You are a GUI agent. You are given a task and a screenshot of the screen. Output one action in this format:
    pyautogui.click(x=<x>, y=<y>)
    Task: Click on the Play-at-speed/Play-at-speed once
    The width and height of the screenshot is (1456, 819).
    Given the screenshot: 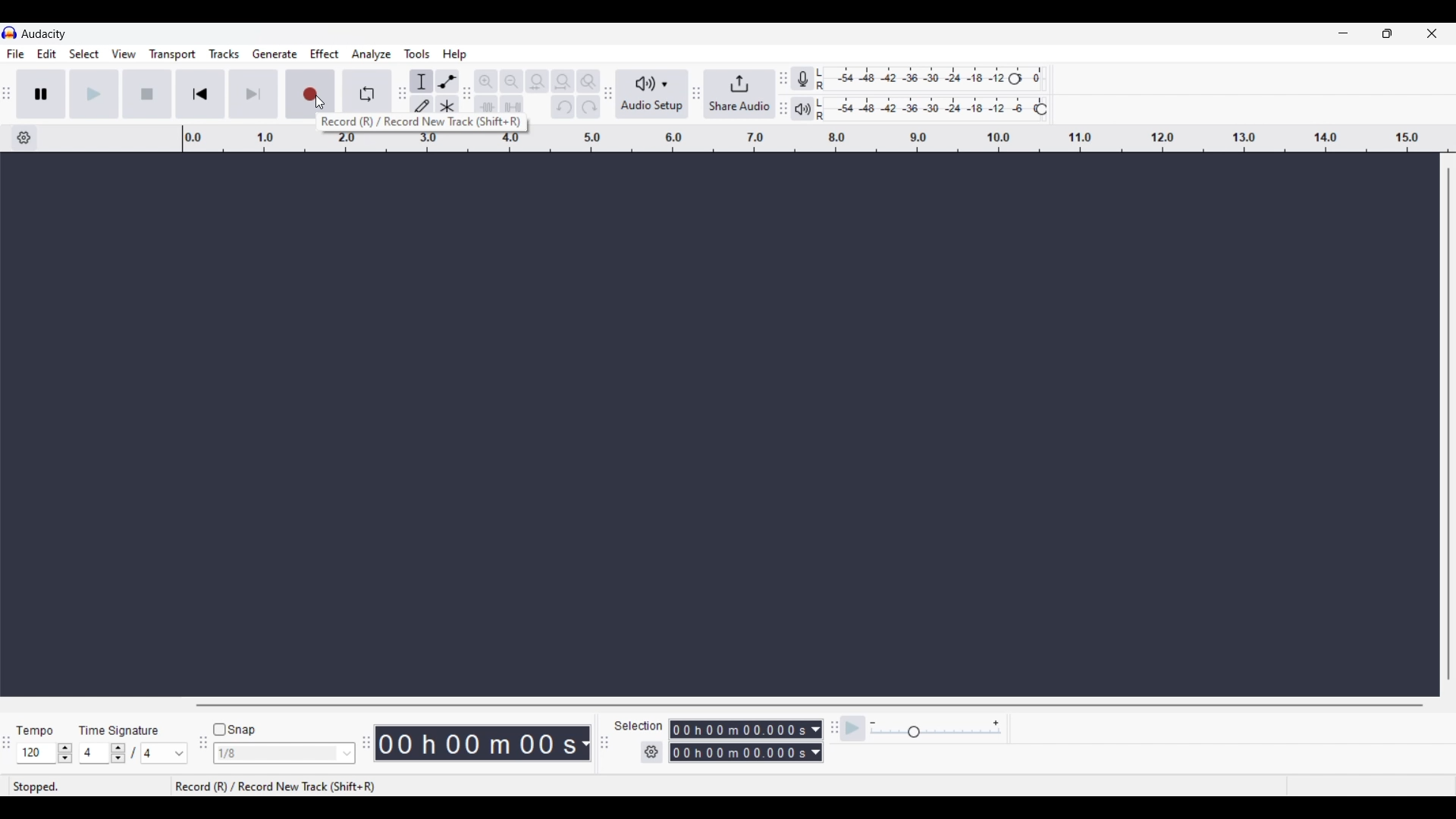 What is the action you would take?
    pyautogui.click(x=853, y=729)
    